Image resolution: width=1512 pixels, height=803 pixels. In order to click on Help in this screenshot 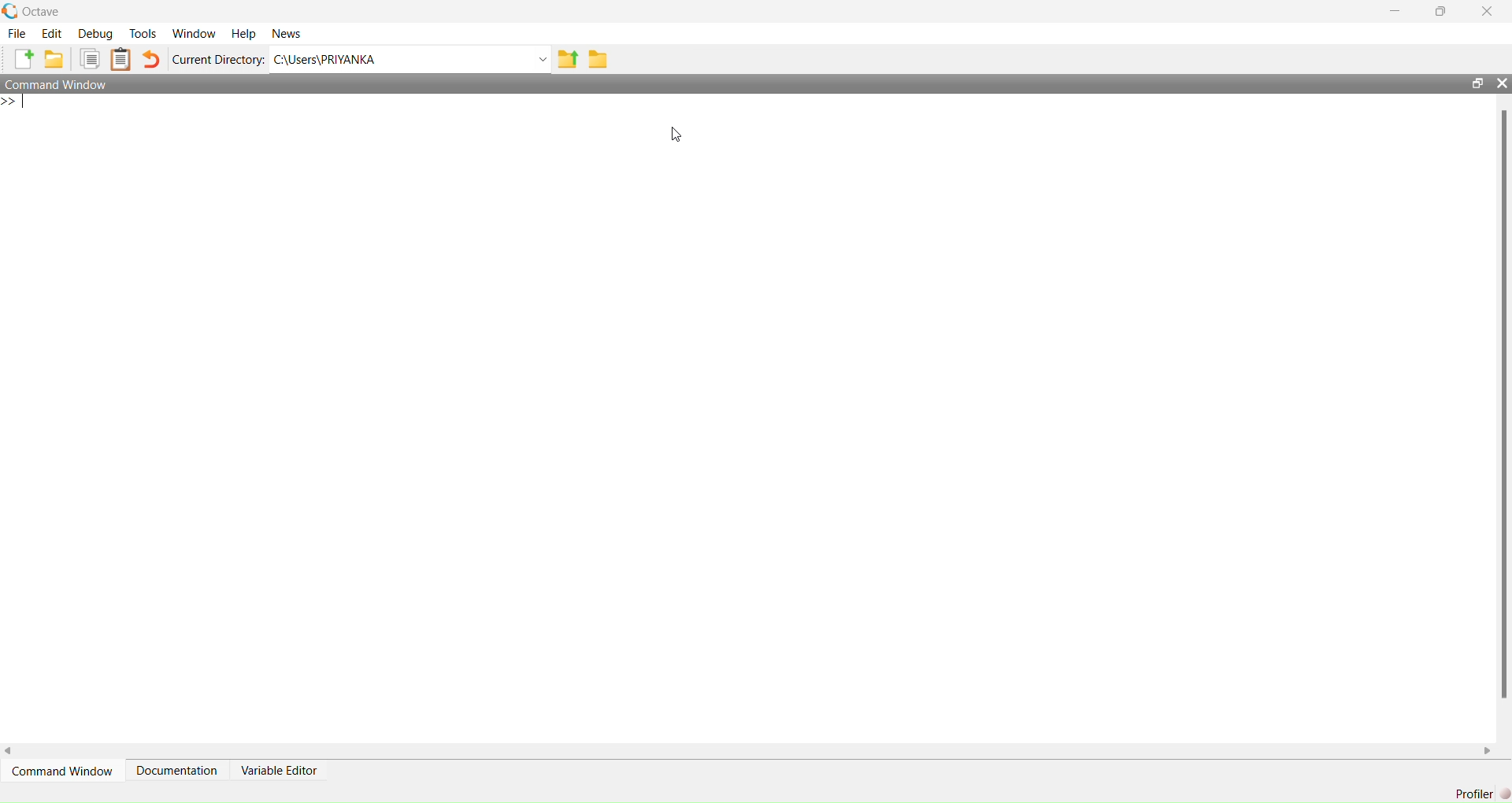, I will do `click(243, 34)`.